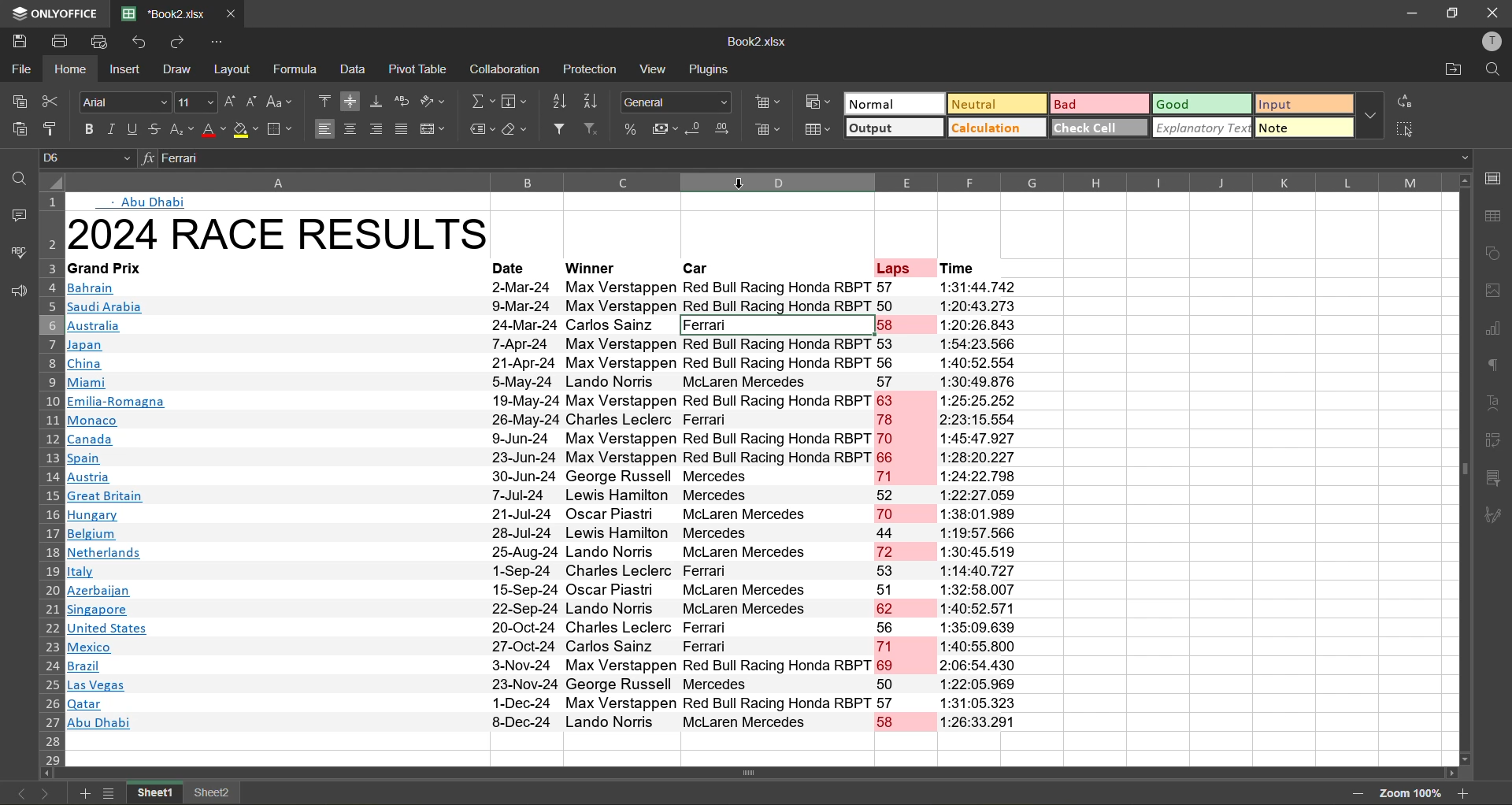  I want to click on input formula, so click(143, 159).